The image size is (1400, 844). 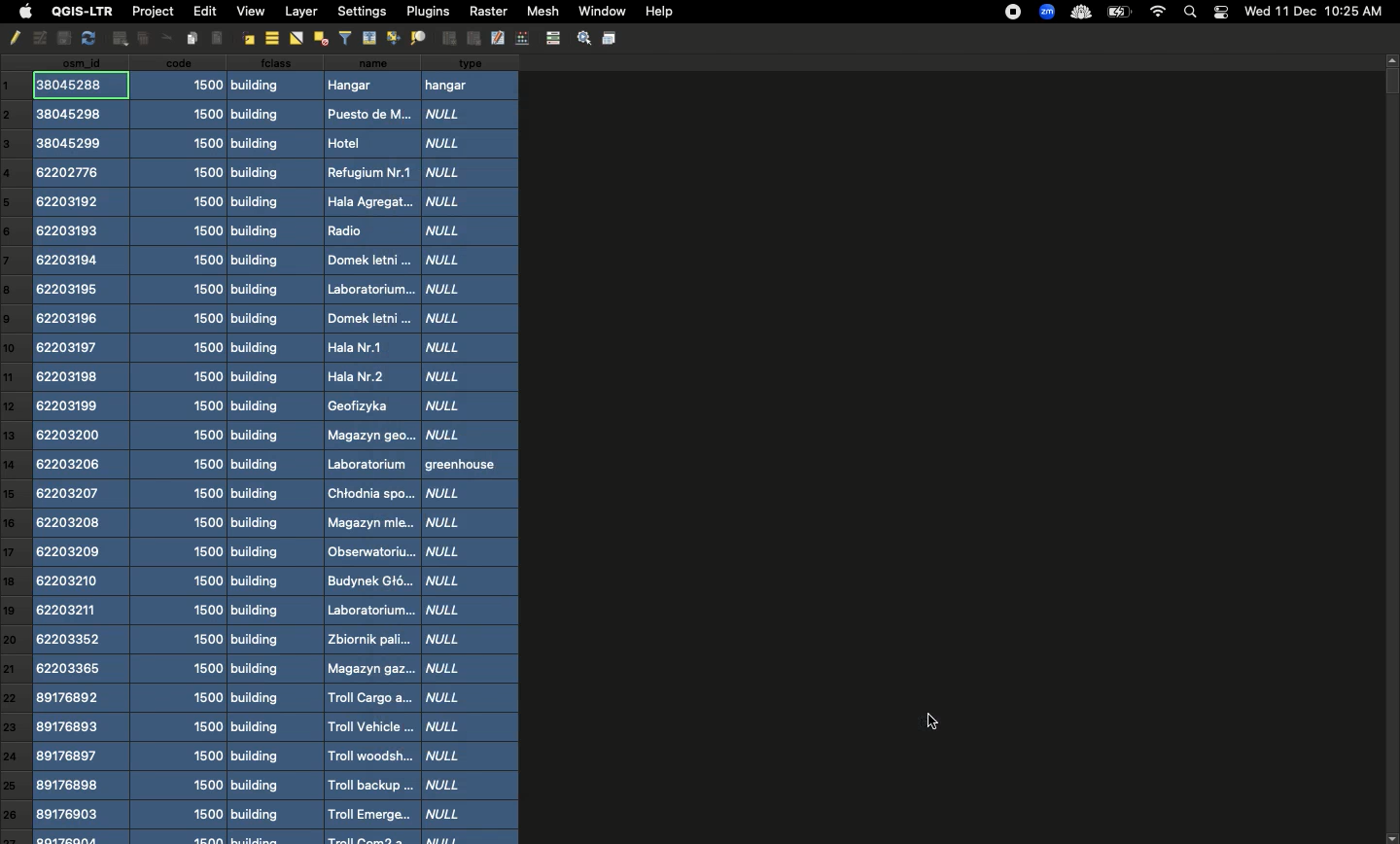 What do you see at coordinates (319, 38) in the screenshot?
I see `Distribute Objects Evenly` at bounding box center [319, 38].